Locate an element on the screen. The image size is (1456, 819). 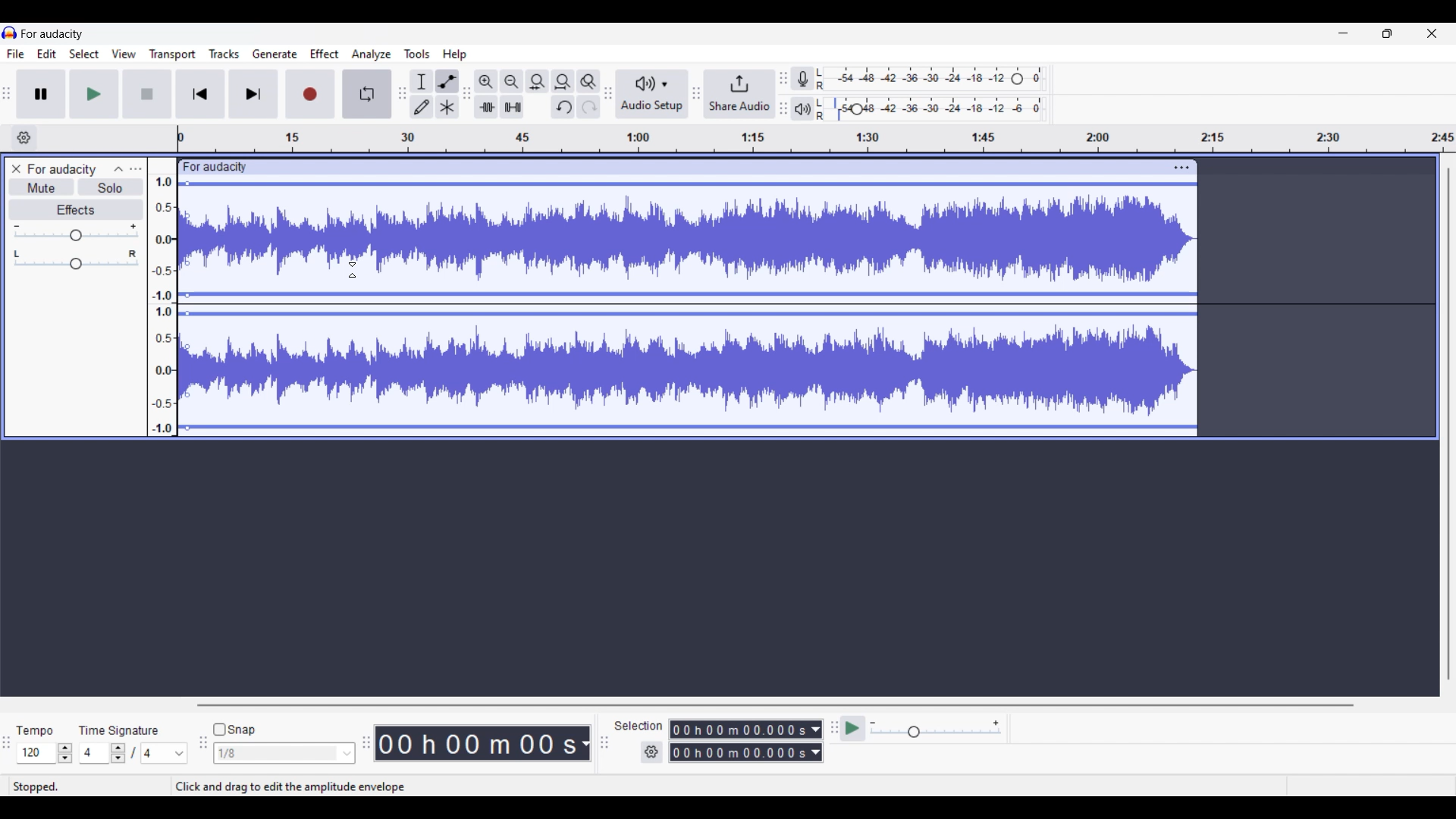
play at speed is located at coordinates (853, 728).